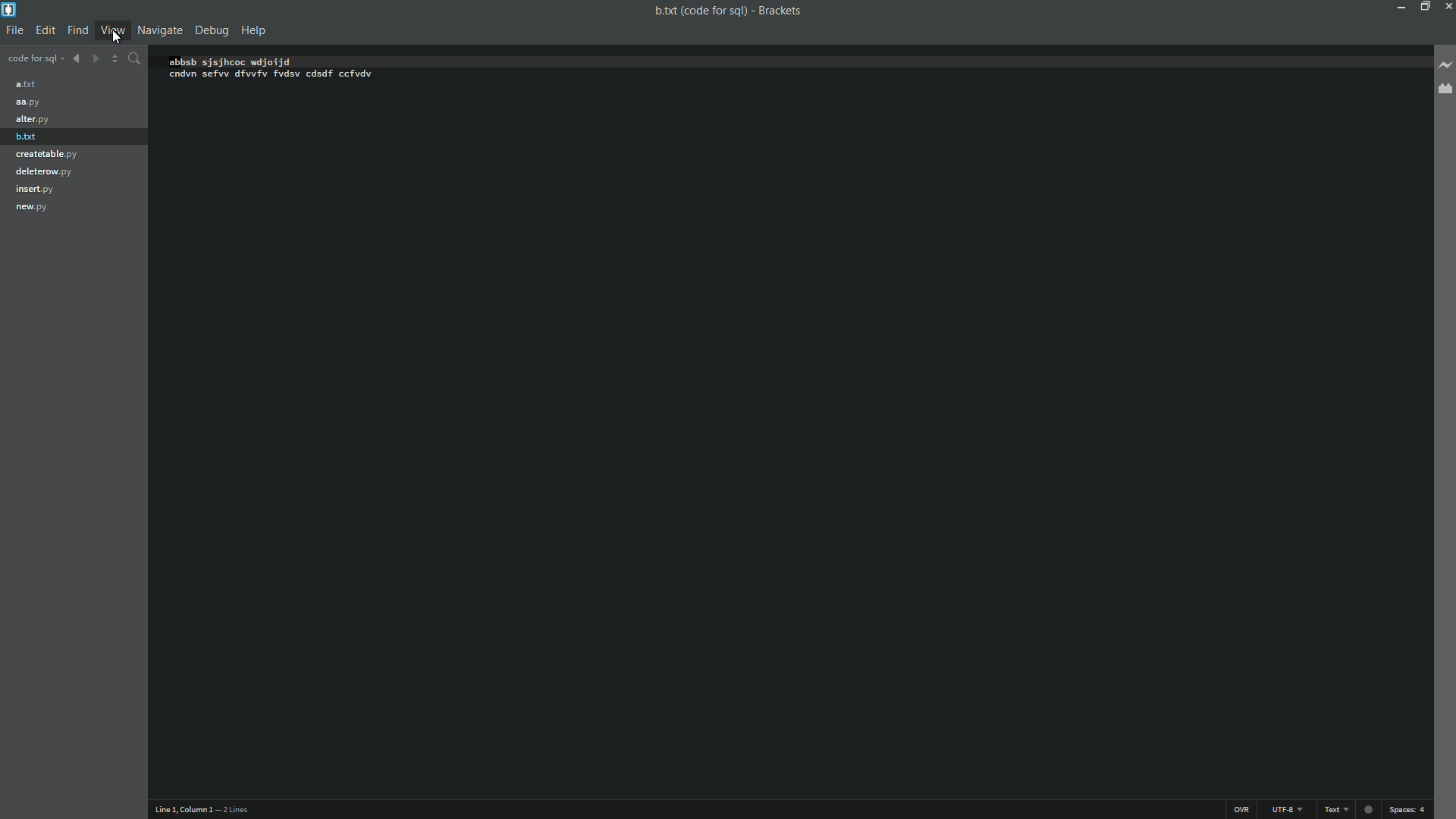 The width and height of the screenshot is (1456, 819). What do you see at coordinates (1398, 6) in the screenshot?
I see `Minimize` at bounding box center [1398, 6].